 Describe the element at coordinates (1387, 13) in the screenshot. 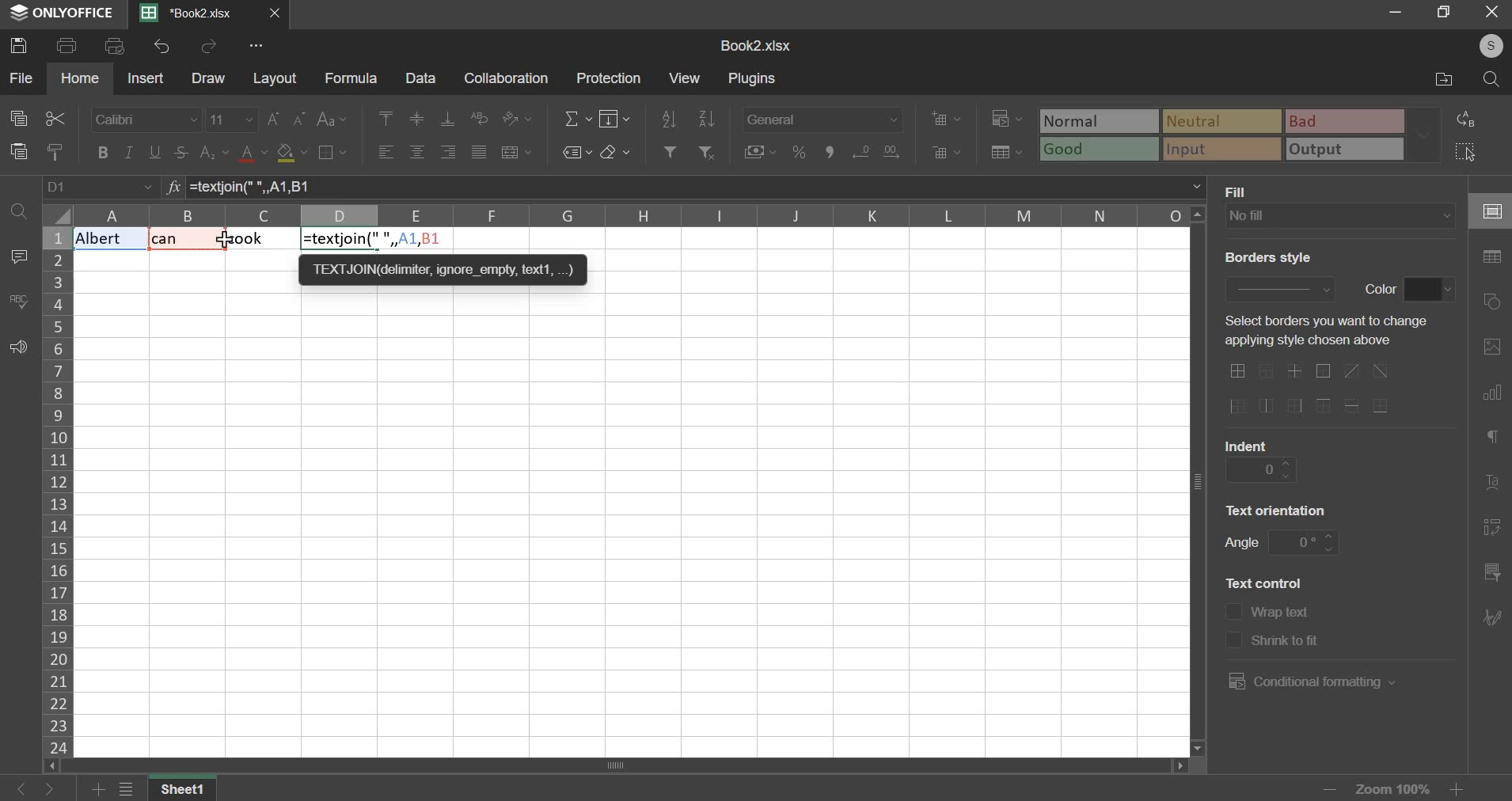

I see `minimize` at that location.